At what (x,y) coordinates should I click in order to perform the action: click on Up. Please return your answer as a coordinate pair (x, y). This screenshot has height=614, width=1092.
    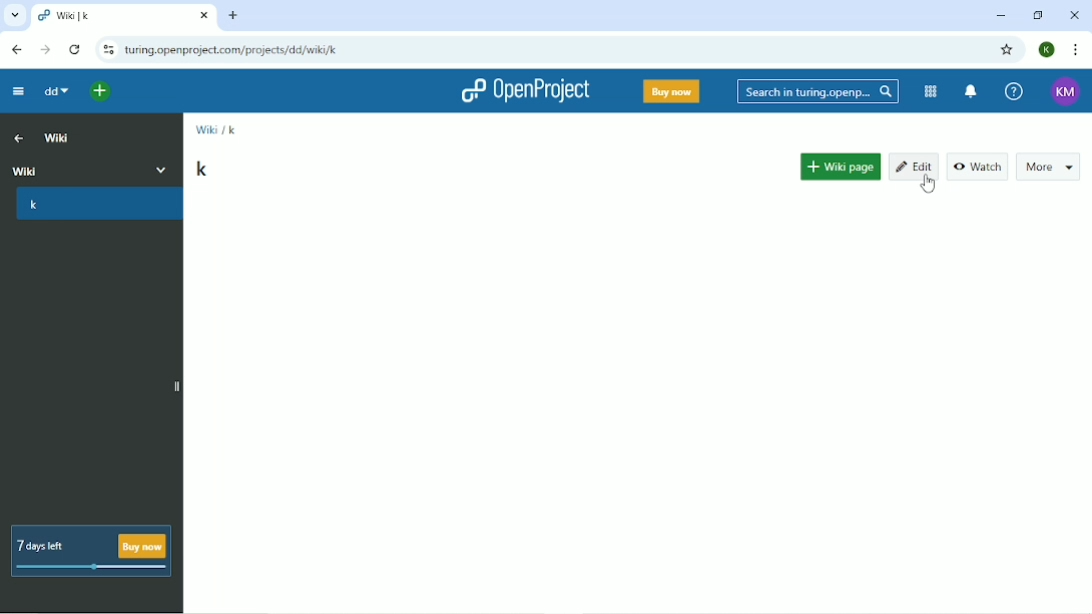
    Looking at the image, I should click on (16, 137).